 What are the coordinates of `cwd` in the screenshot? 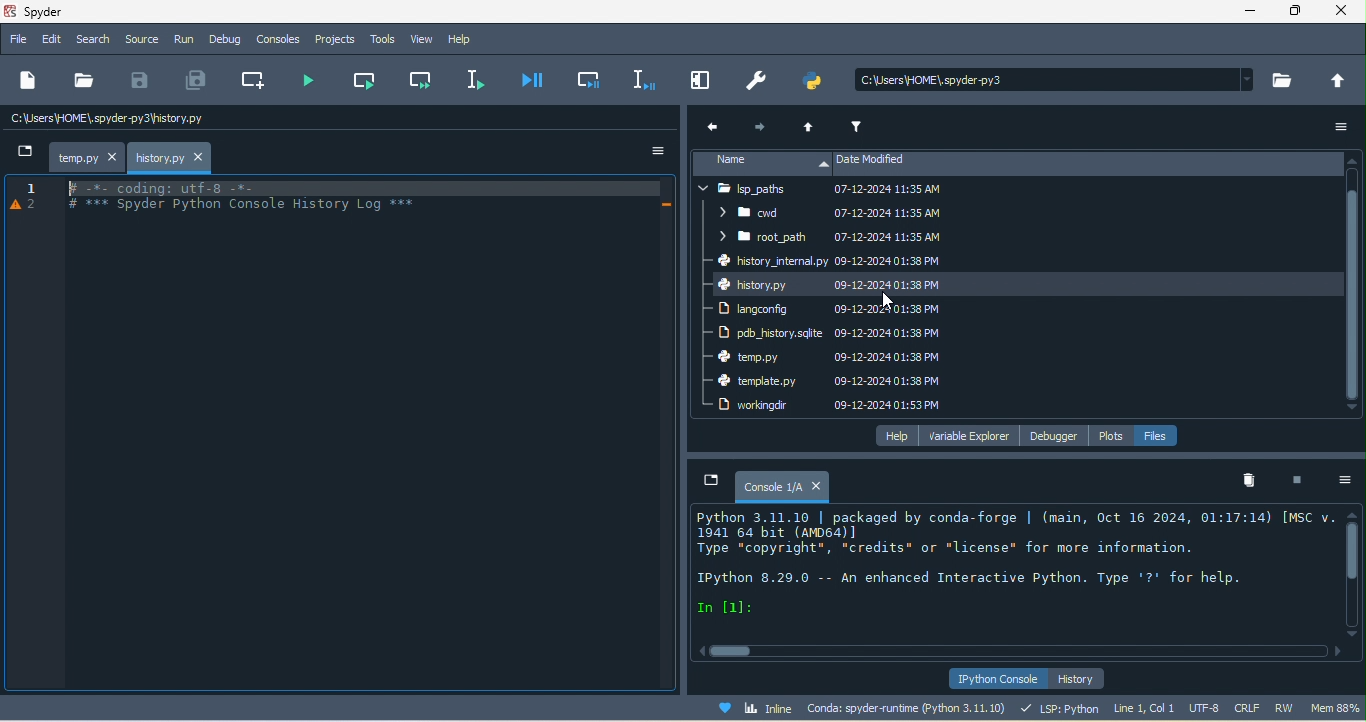 It's located at (762, 215).